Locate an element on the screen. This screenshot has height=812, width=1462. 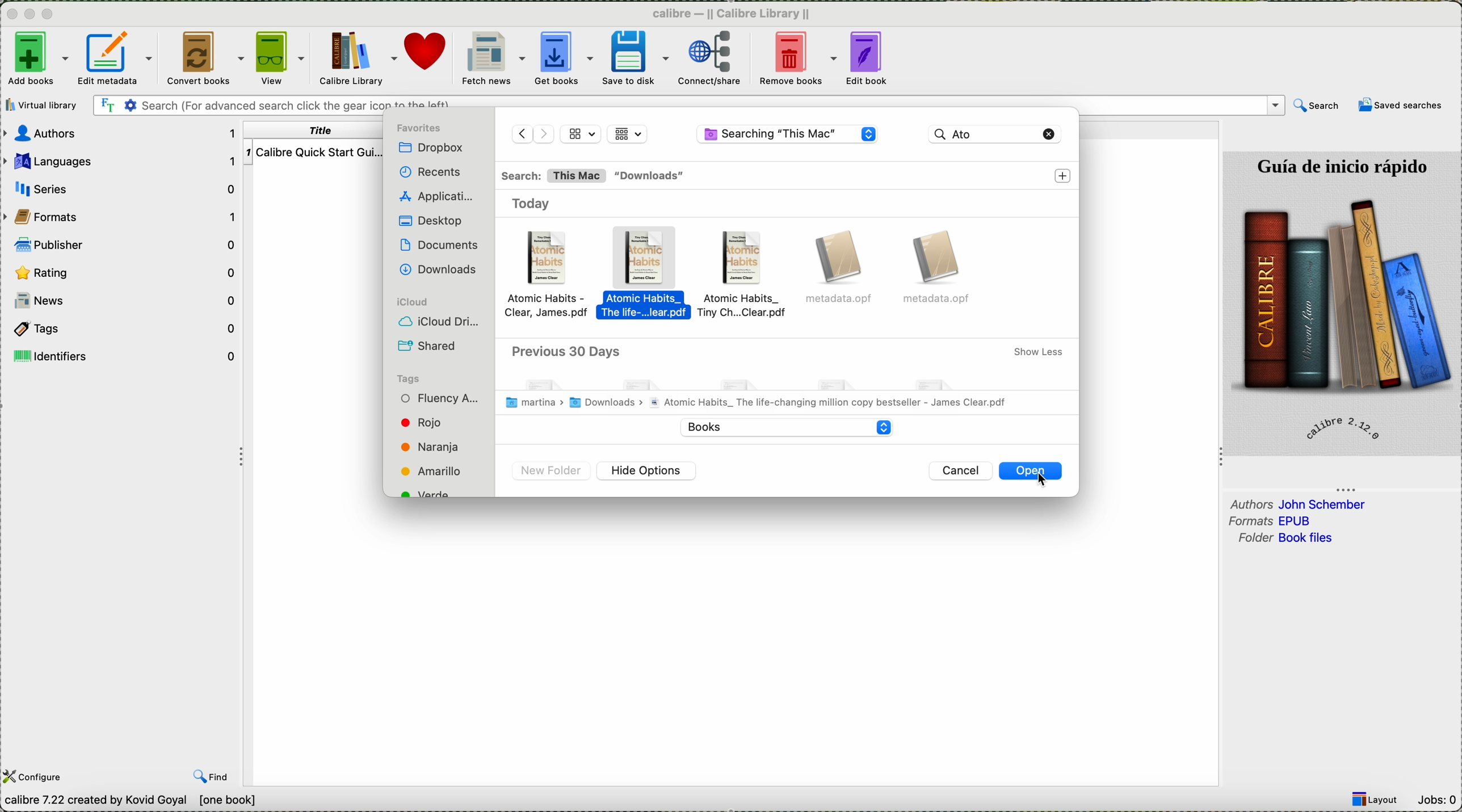
data is located at coordinates (177, 801).